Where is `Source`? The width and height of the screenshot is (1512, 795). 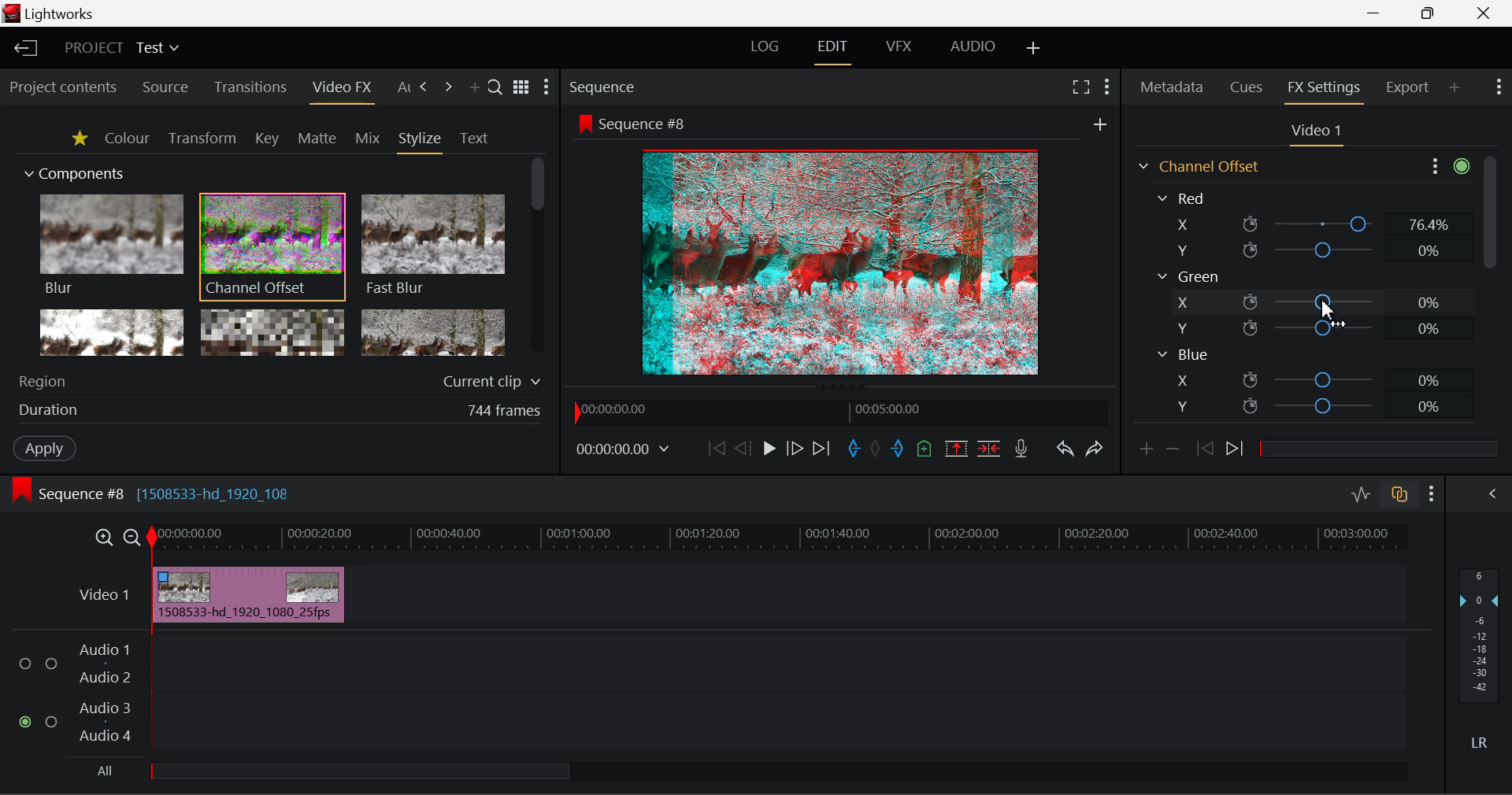
Source is located at coordinates (167, 87).